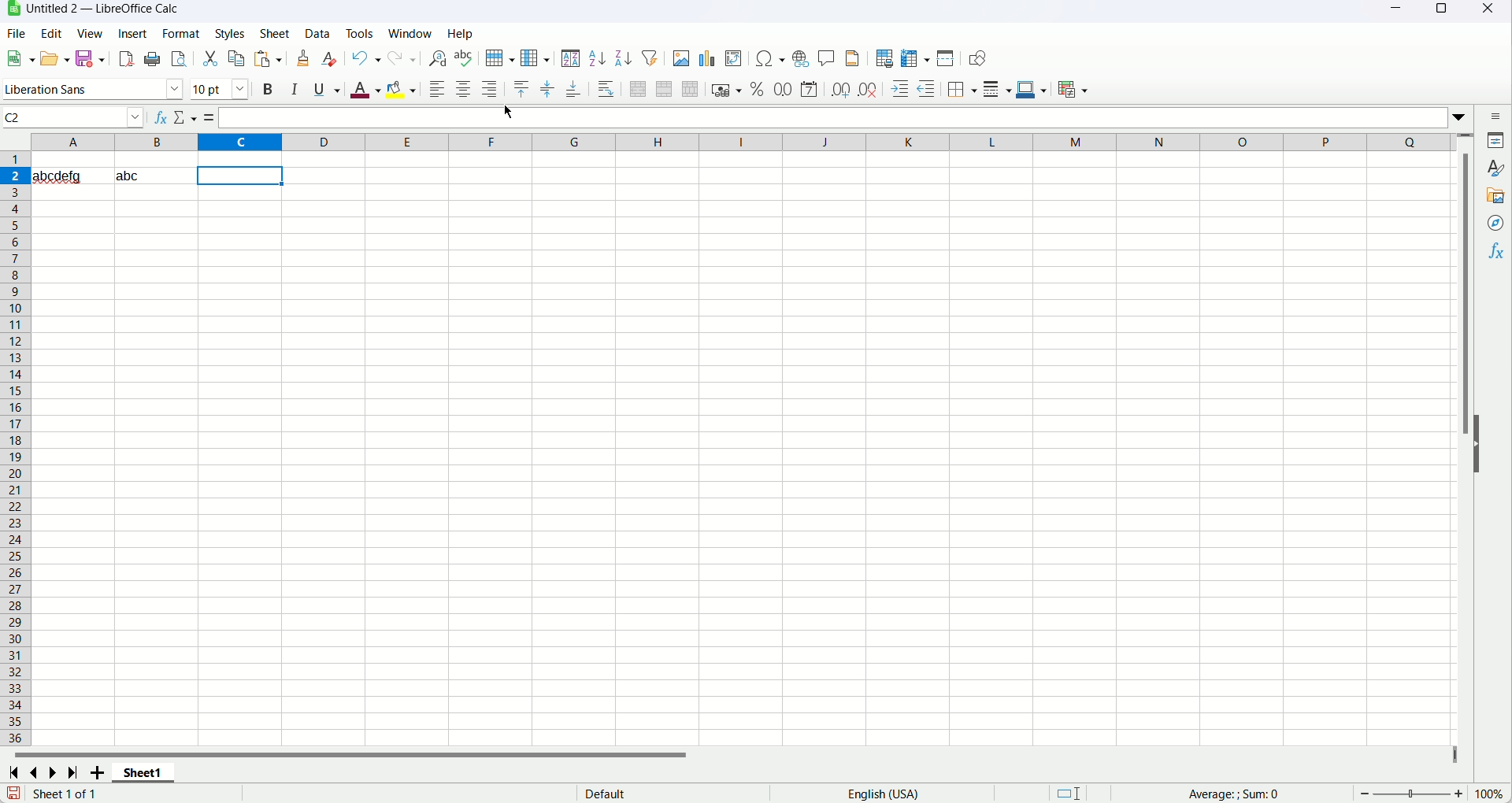  What do you see at coordinates (1031, 90) in the screenshot?
I see `border color` at bounding box center [1031, 90].